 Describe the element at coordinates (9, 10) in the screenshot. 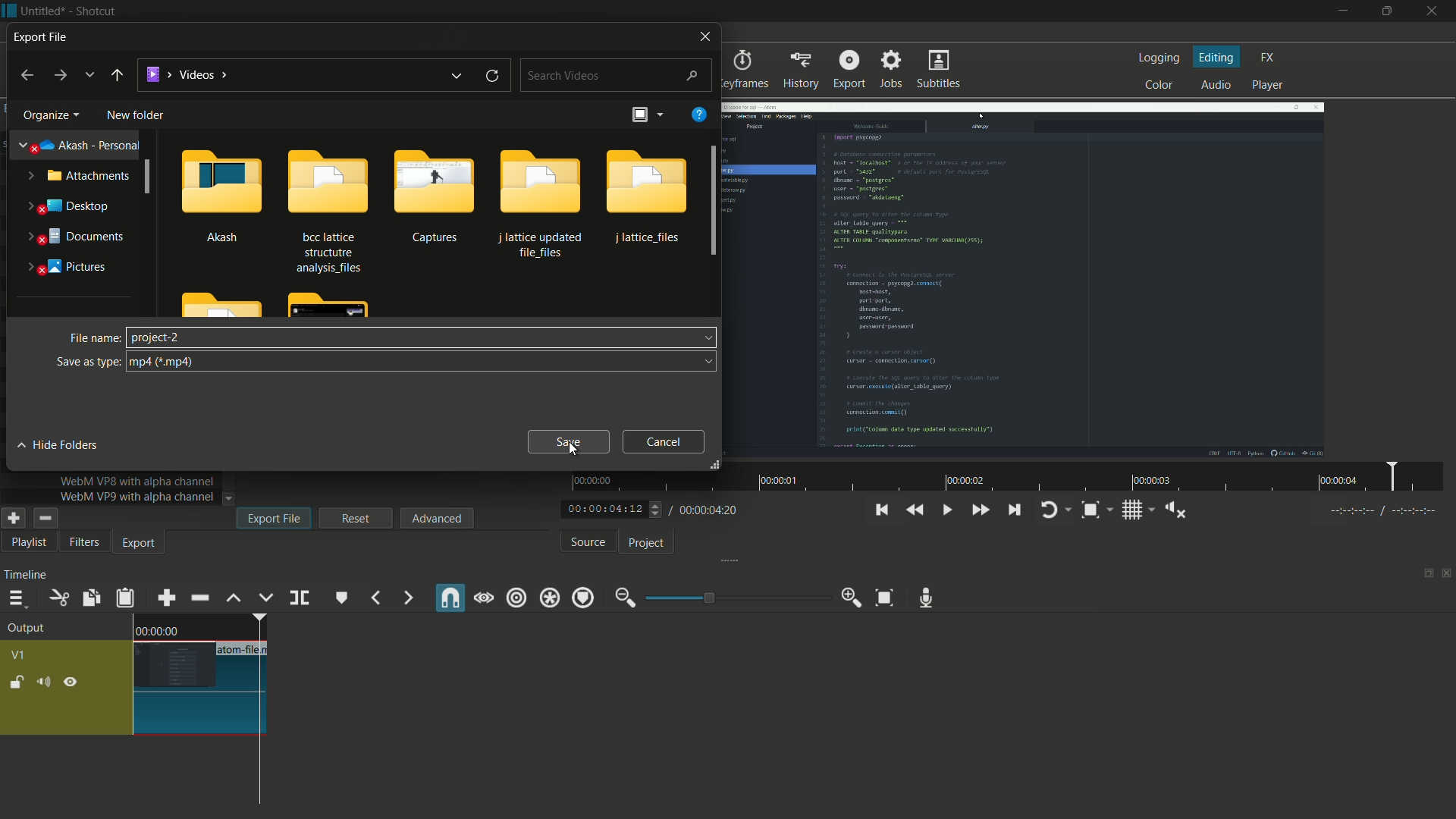

I see `app icon` at that location.